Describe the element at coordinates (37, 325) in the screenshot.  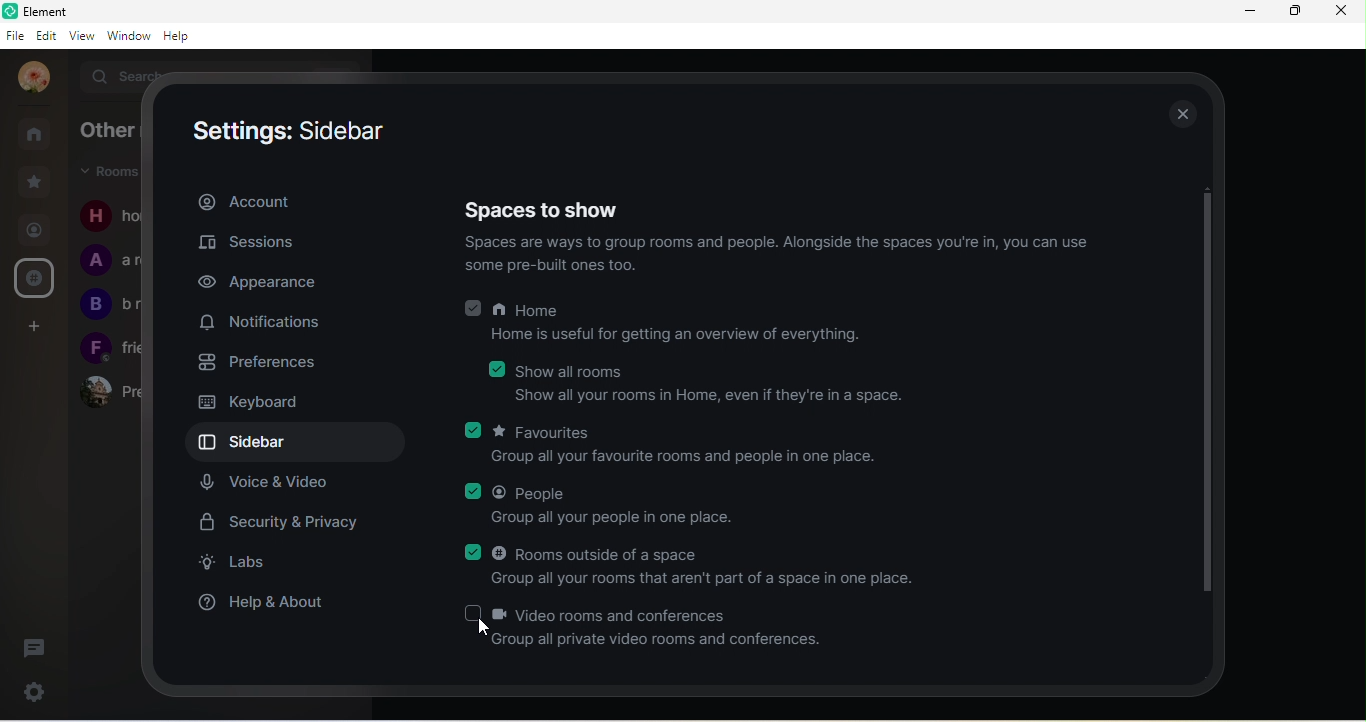
I see `video call` at that location.